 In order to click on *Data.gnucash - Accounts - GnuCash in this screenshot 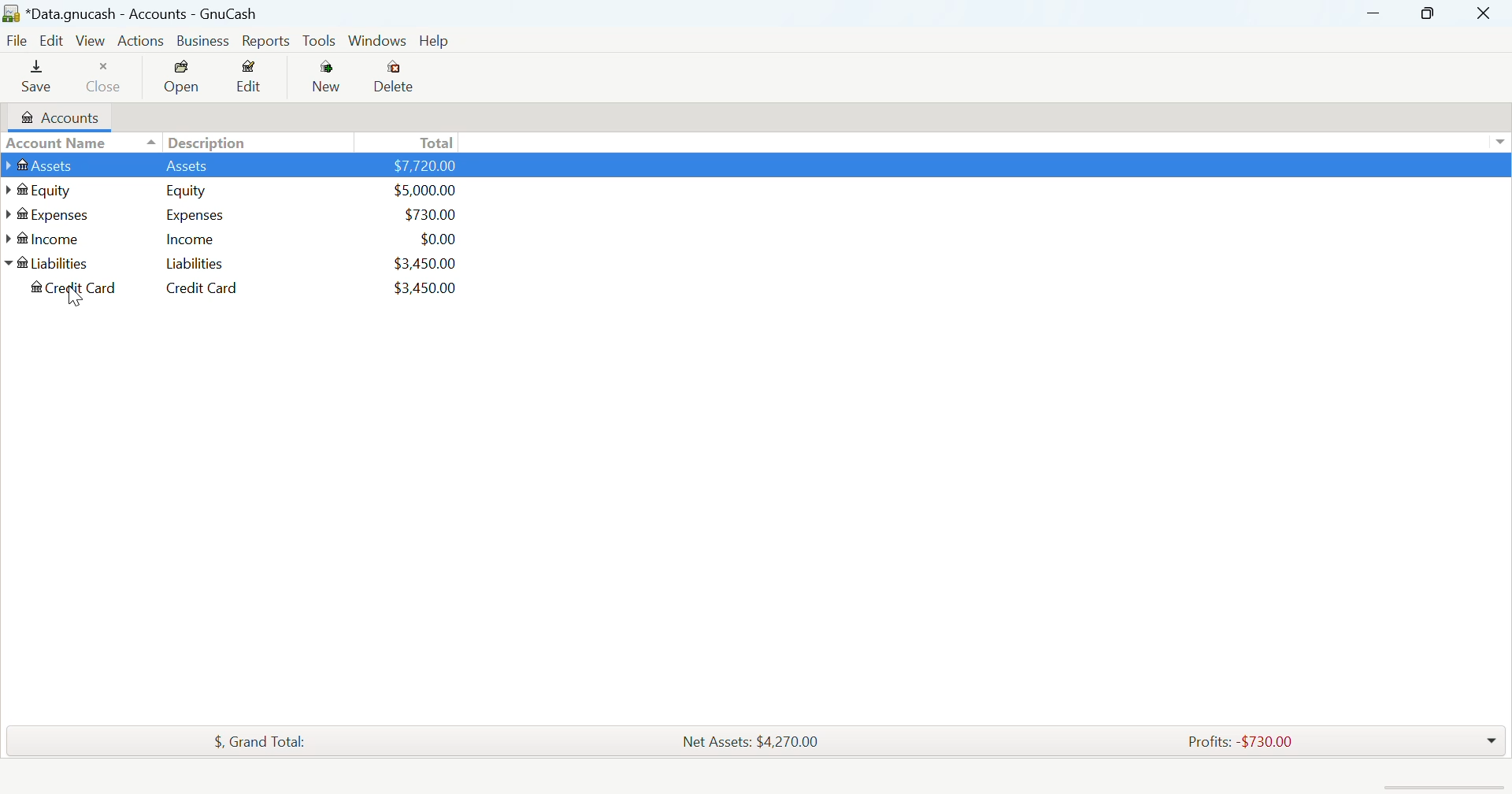, I will do `click(131, 13)`.